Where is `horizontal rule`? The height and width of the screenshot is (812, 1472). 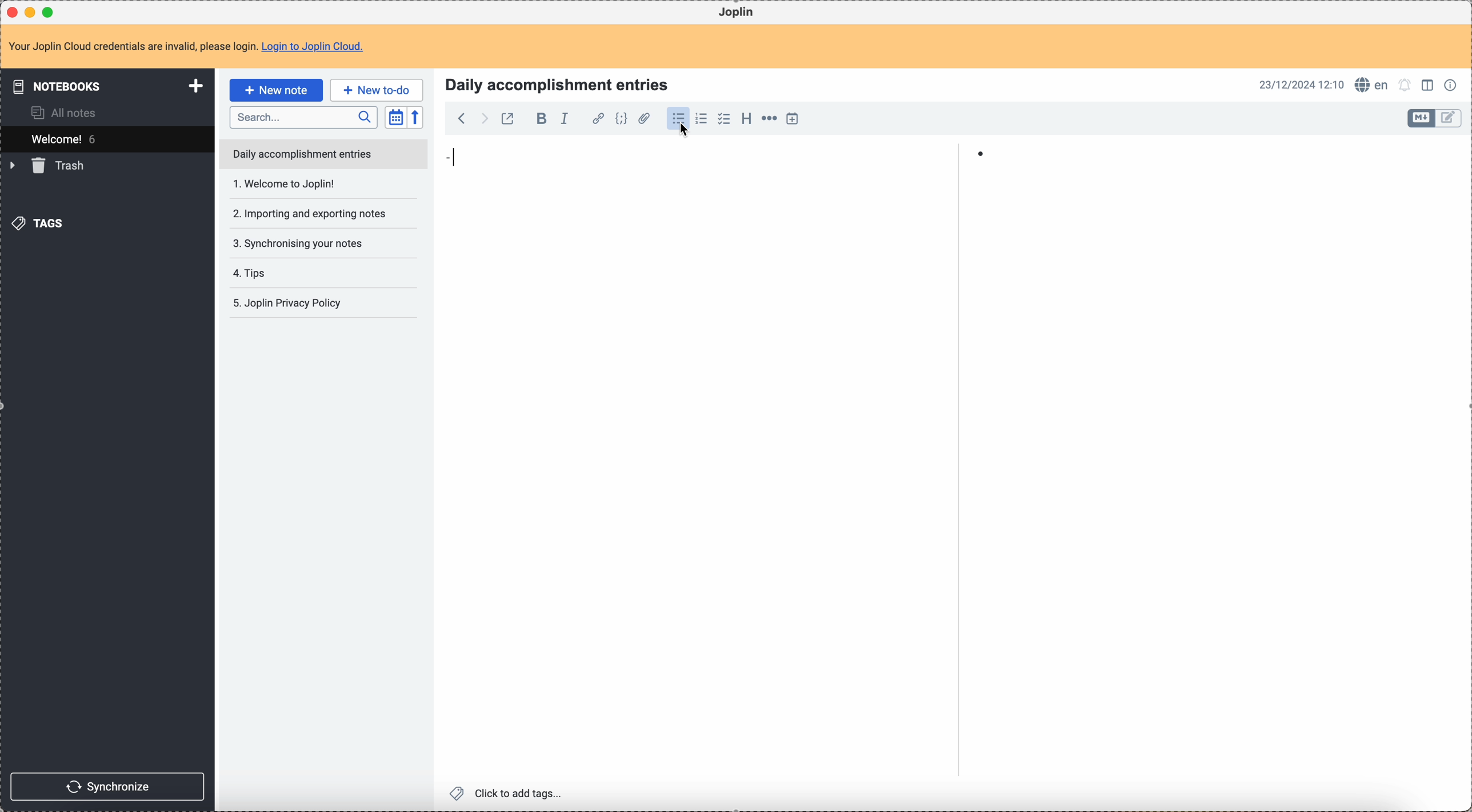 horizontal rule is located at coordinates (769, 120).